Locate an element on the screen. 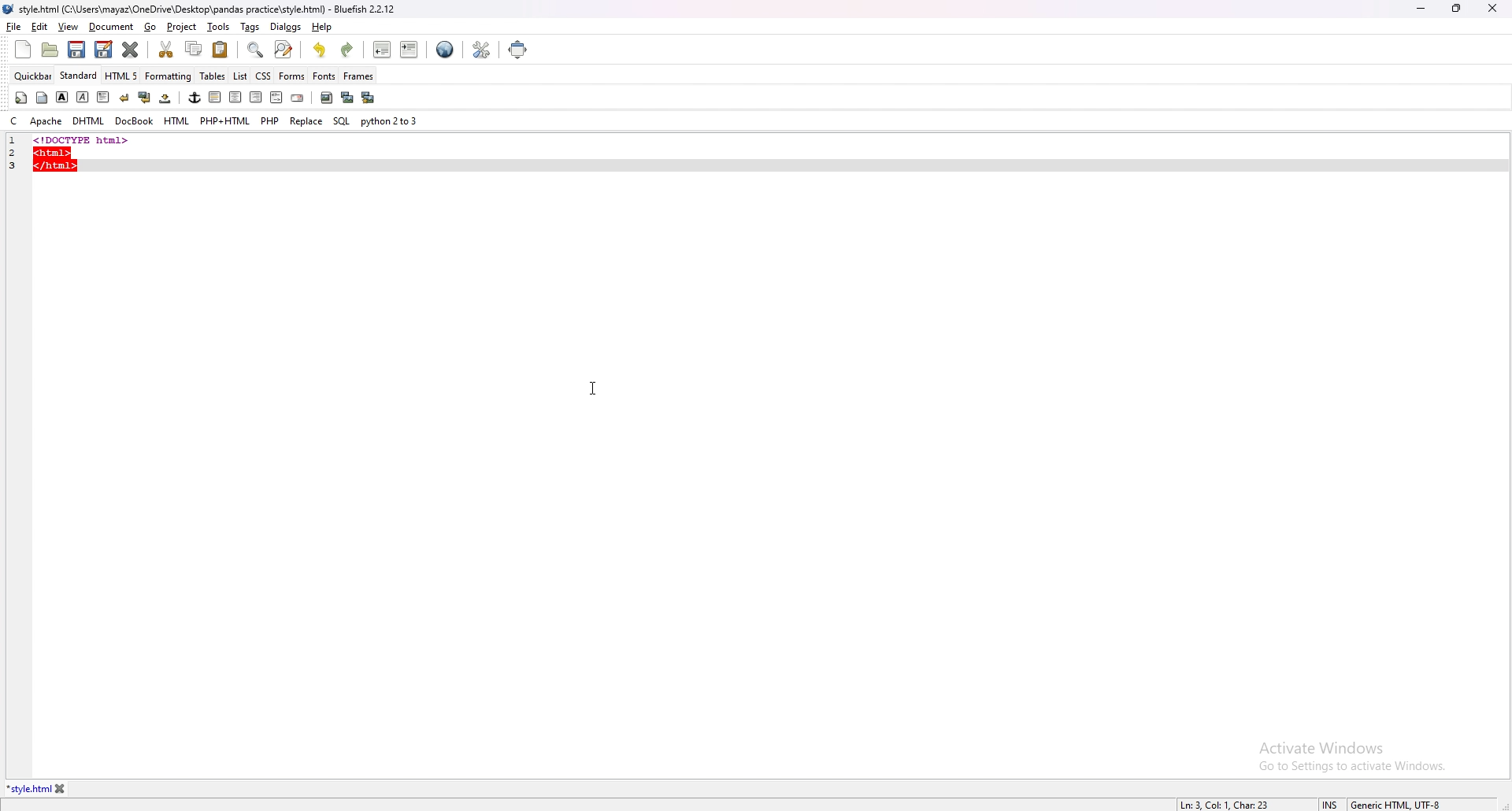 The image size is (1512, 811). full screen is located at coordinates (520, 49).